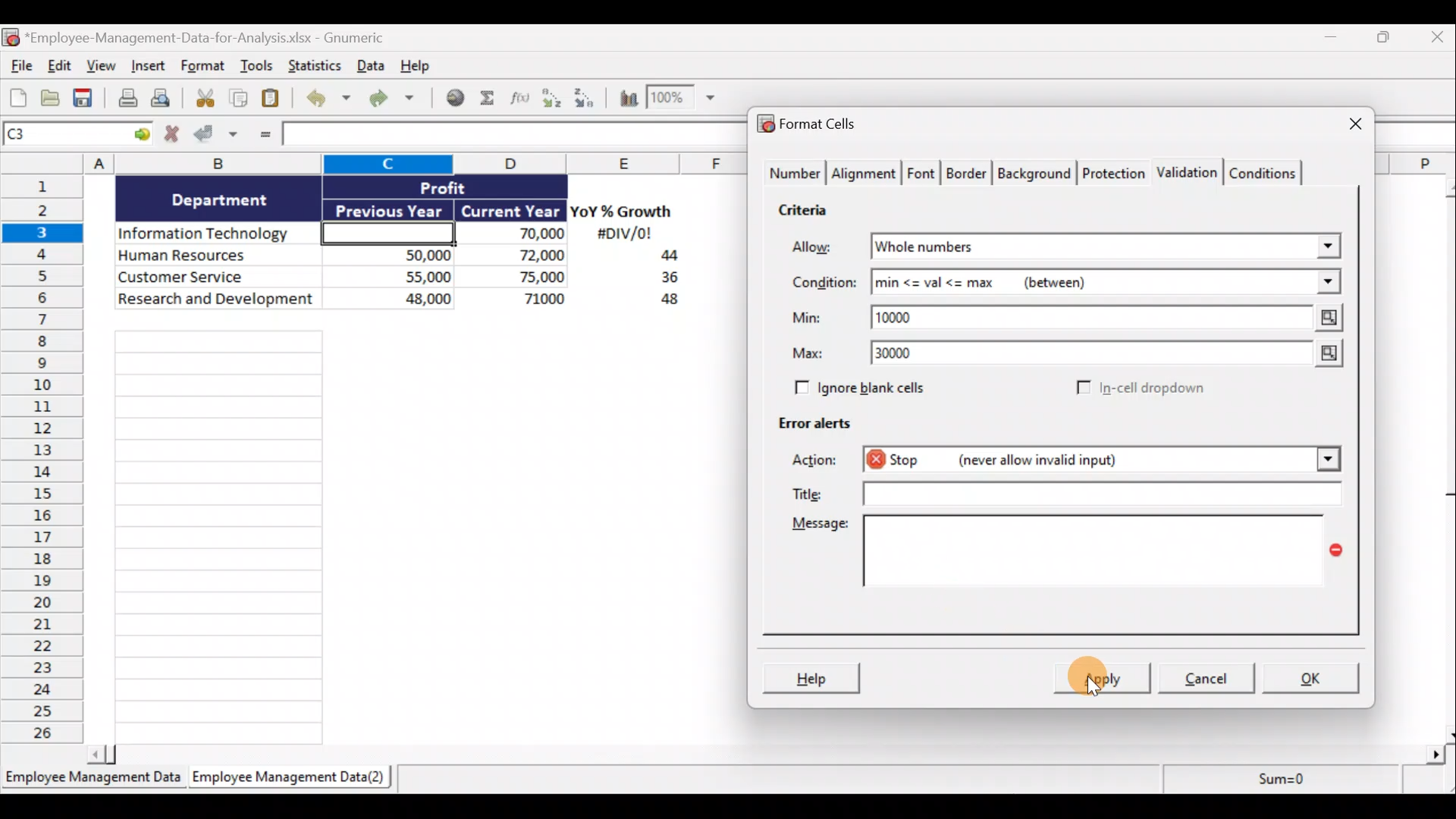 The width and height of the screenshot is (1456, 819). What do you see at coordinates (882, 388) in the screenshot?
I see `Ignore blank cells` at bounding box center [882, 388].